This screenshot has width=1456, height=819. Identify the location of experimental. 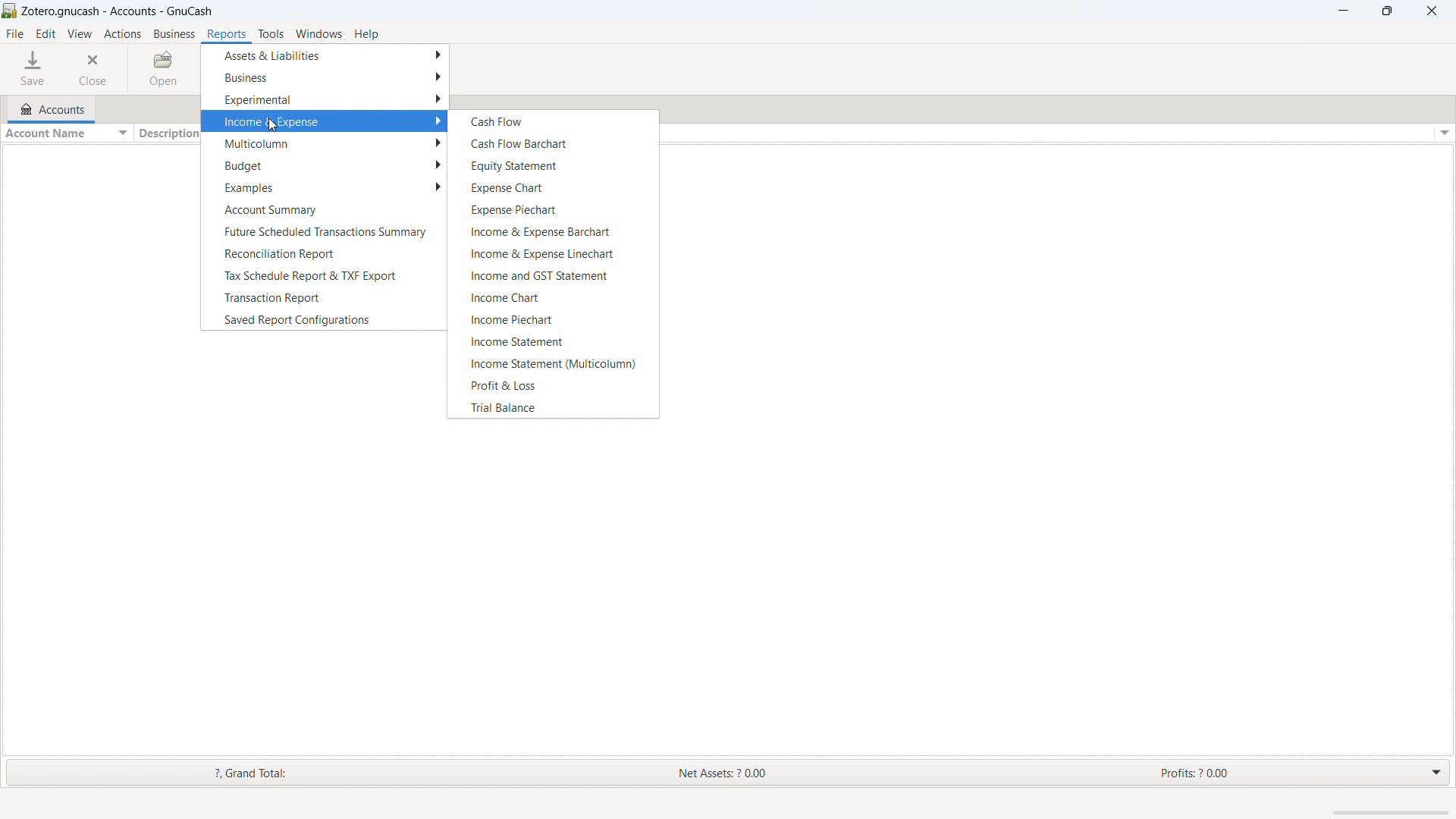
(326, 99).